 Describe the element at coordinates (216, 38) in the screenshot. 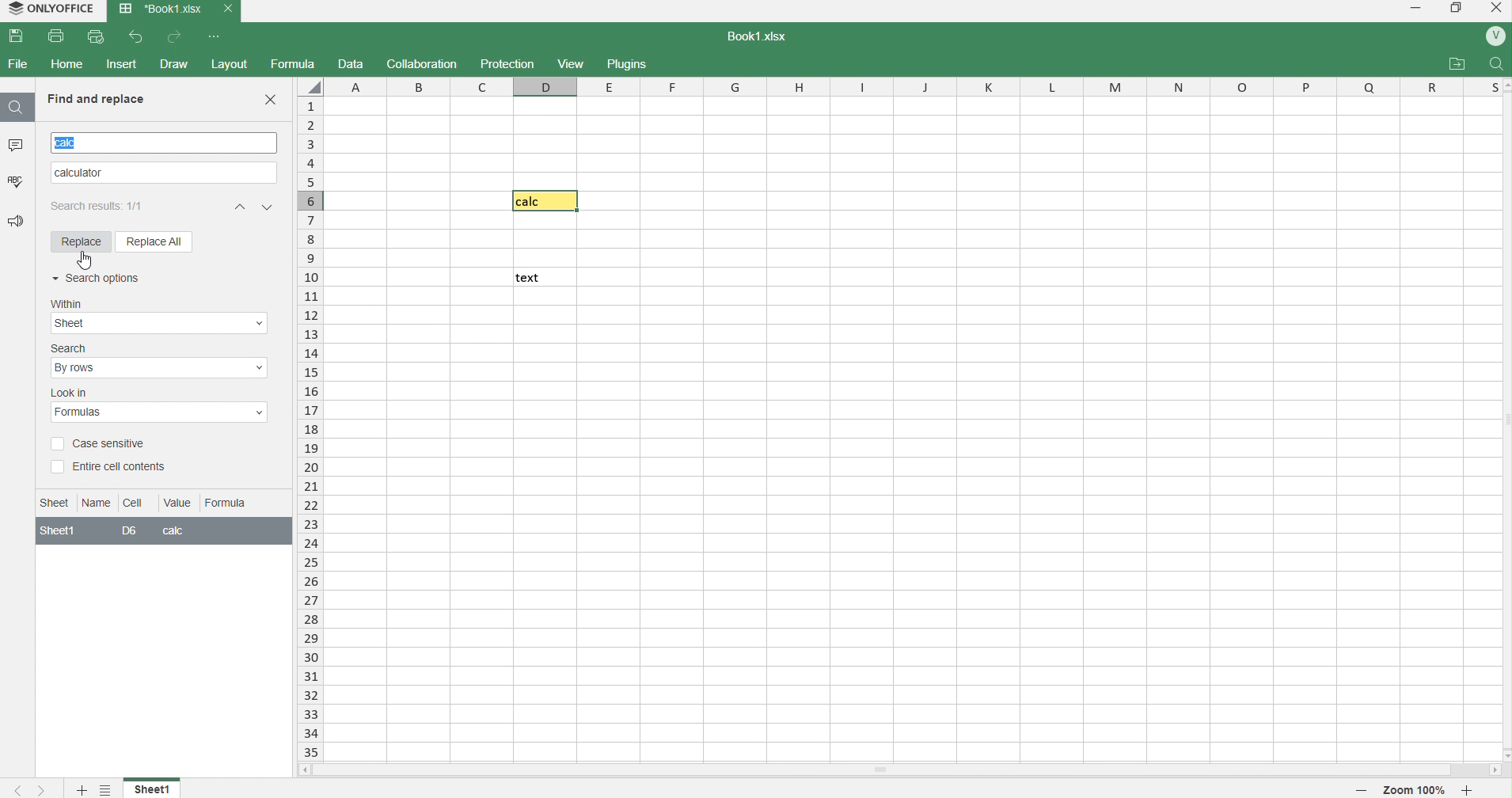

I see `more options` at that location.